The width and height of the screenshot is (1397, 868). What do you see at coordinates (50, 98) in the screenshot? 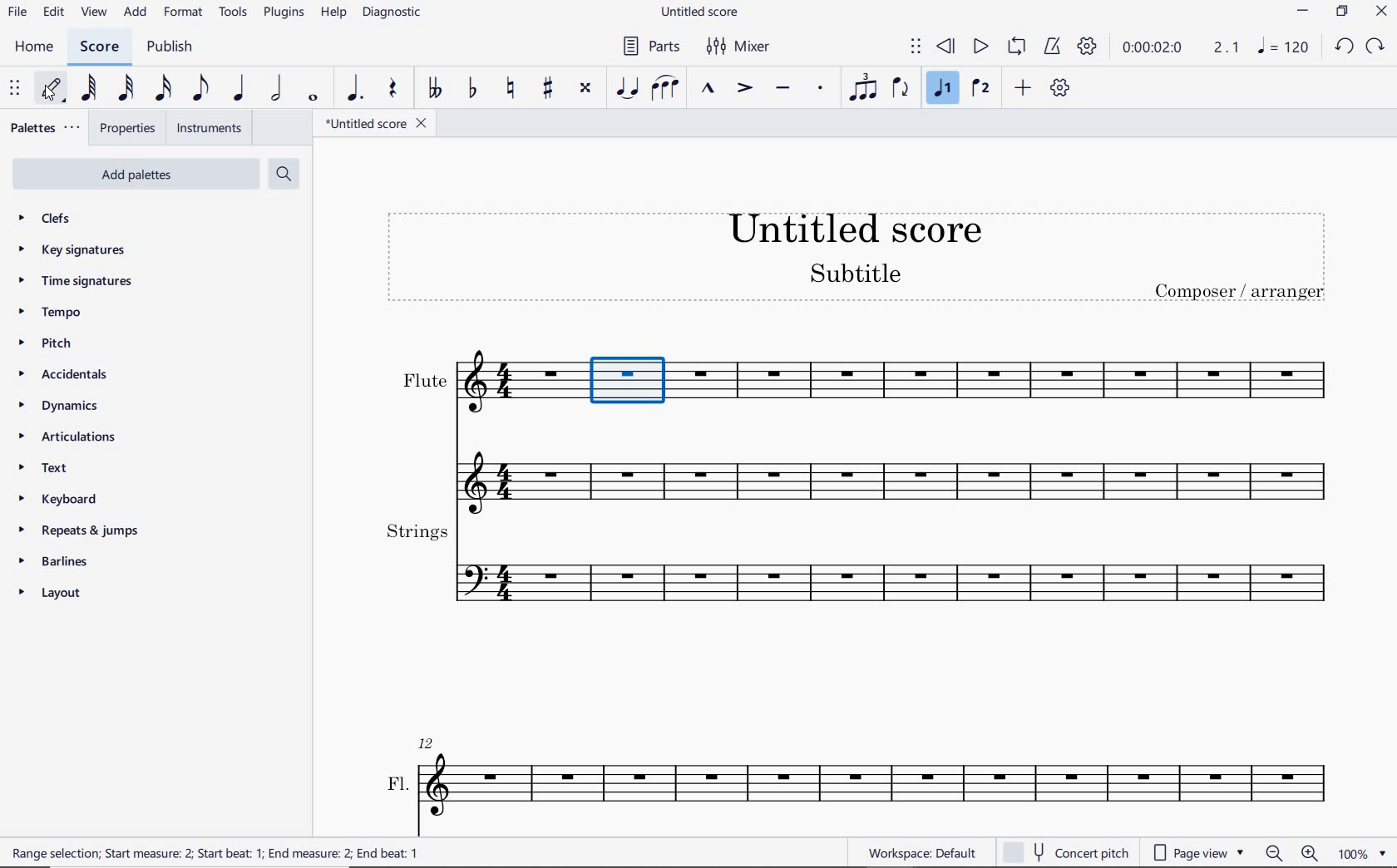
I see `cursor` at bounding box center [50, 98].